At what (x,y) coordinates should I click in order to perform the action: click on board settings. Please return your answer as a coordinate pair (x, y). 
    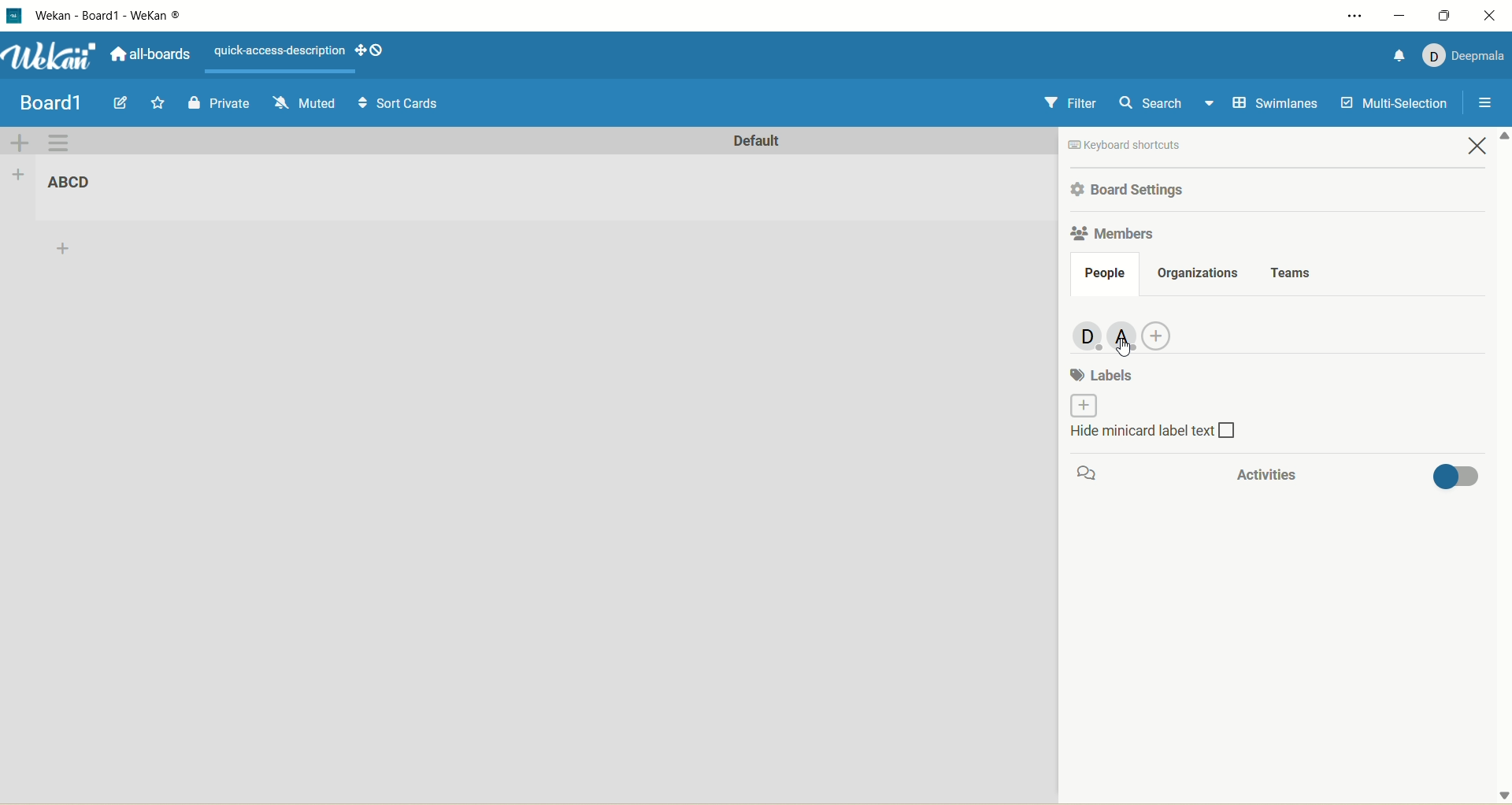
    Looking at the image, I should click on (1133, 189).